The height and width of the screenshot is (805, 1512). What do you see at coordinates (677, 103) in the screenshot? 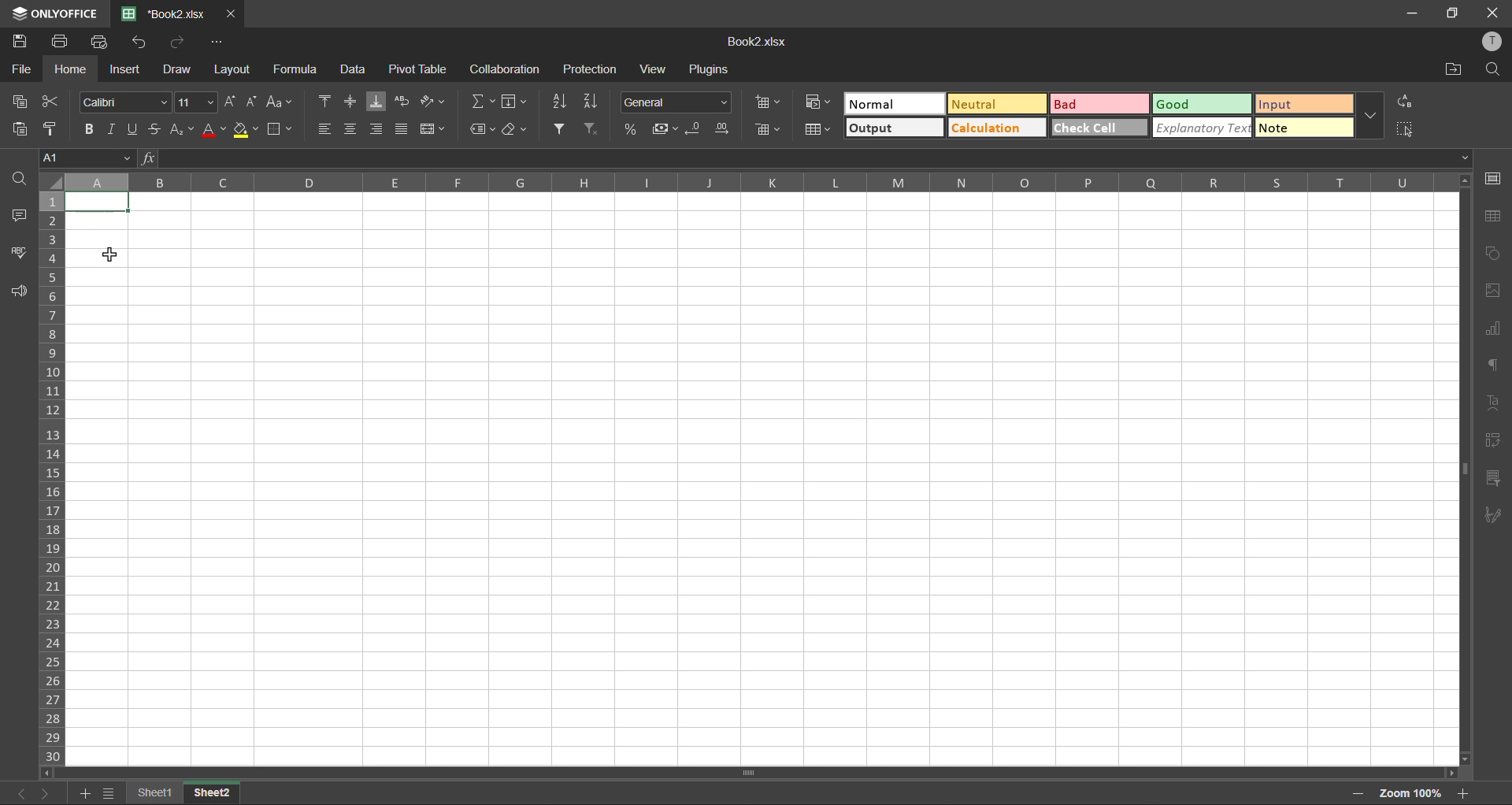
I see `number format` at bounding box center [677, 103].